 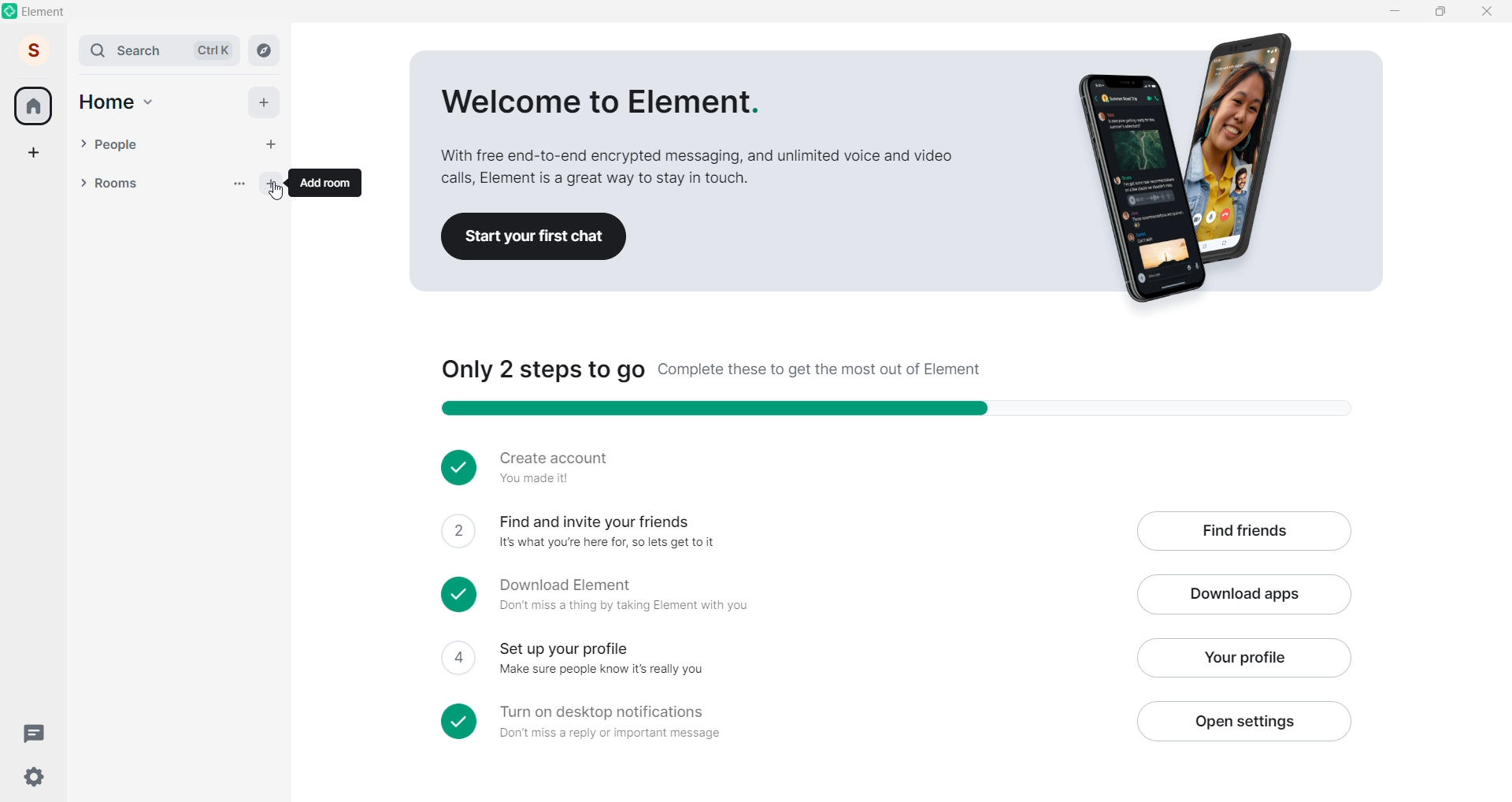 I want to click on Add People, so click(x=271, y=145).